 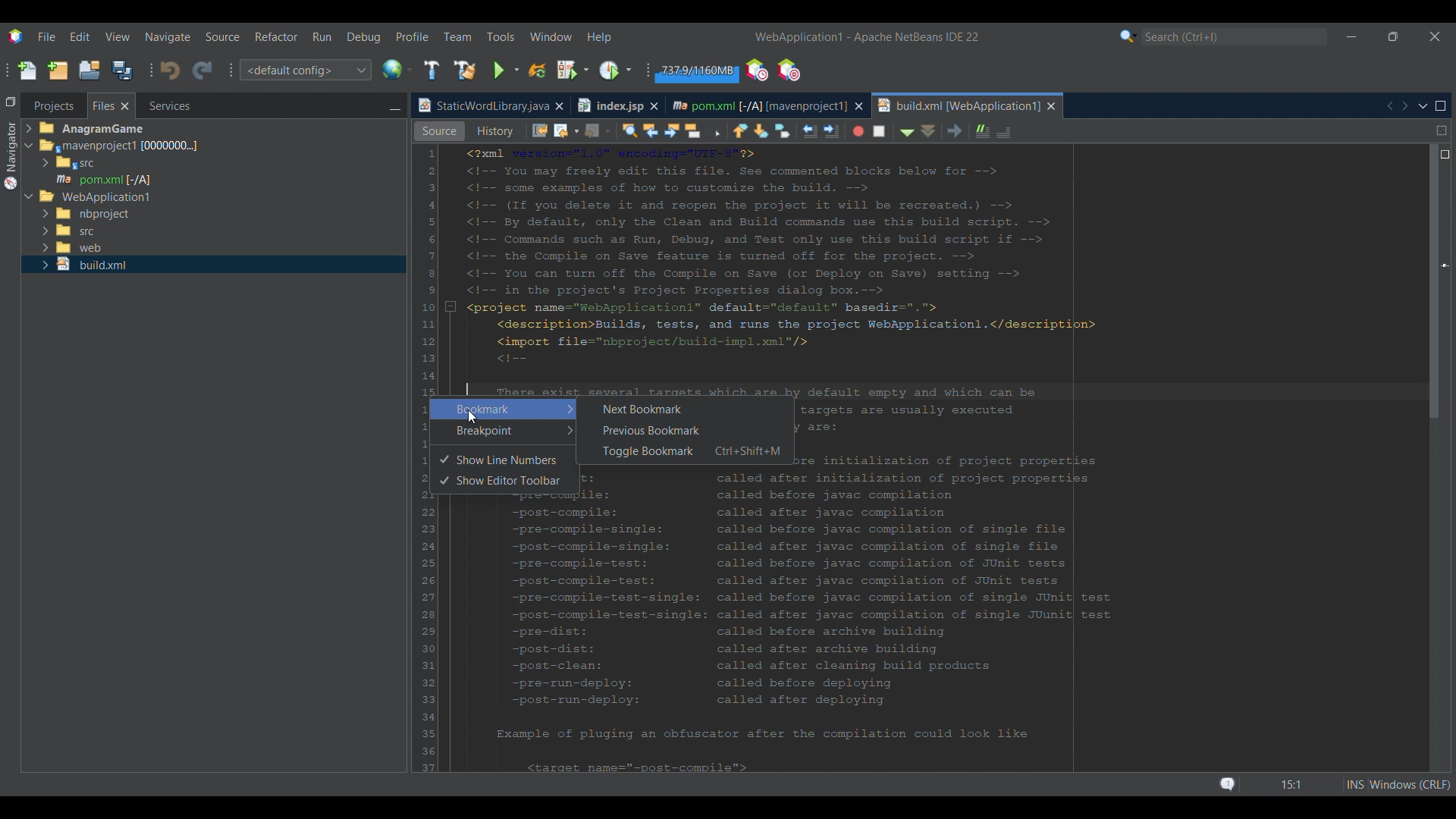 What do you see at coordinates (107, 165) in the screenshot?
I see `Options under Files tab` at bounding box center [107, 165].